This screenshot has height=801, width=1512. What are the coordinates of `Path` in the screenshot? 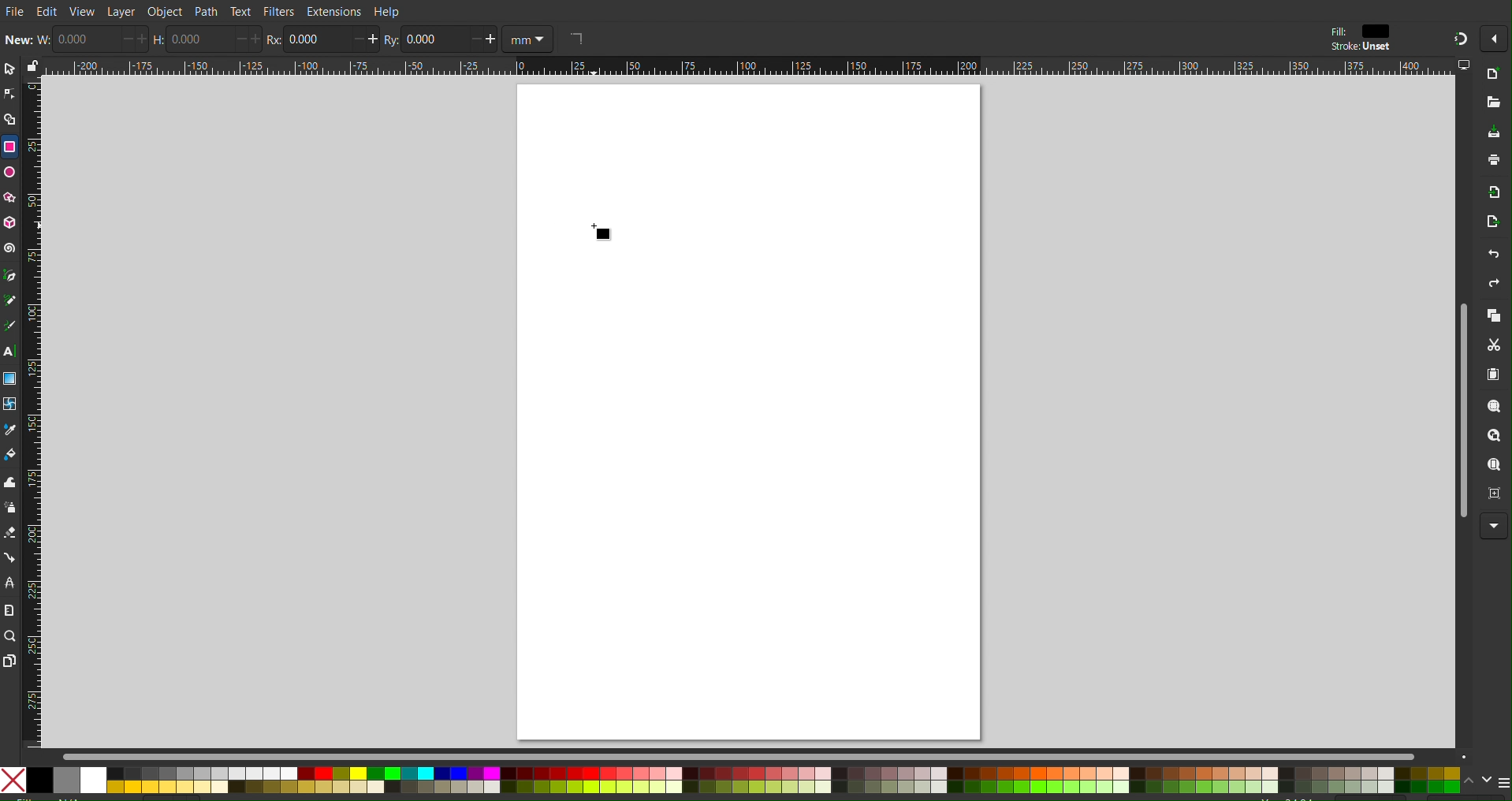 It's located at (204, 12).